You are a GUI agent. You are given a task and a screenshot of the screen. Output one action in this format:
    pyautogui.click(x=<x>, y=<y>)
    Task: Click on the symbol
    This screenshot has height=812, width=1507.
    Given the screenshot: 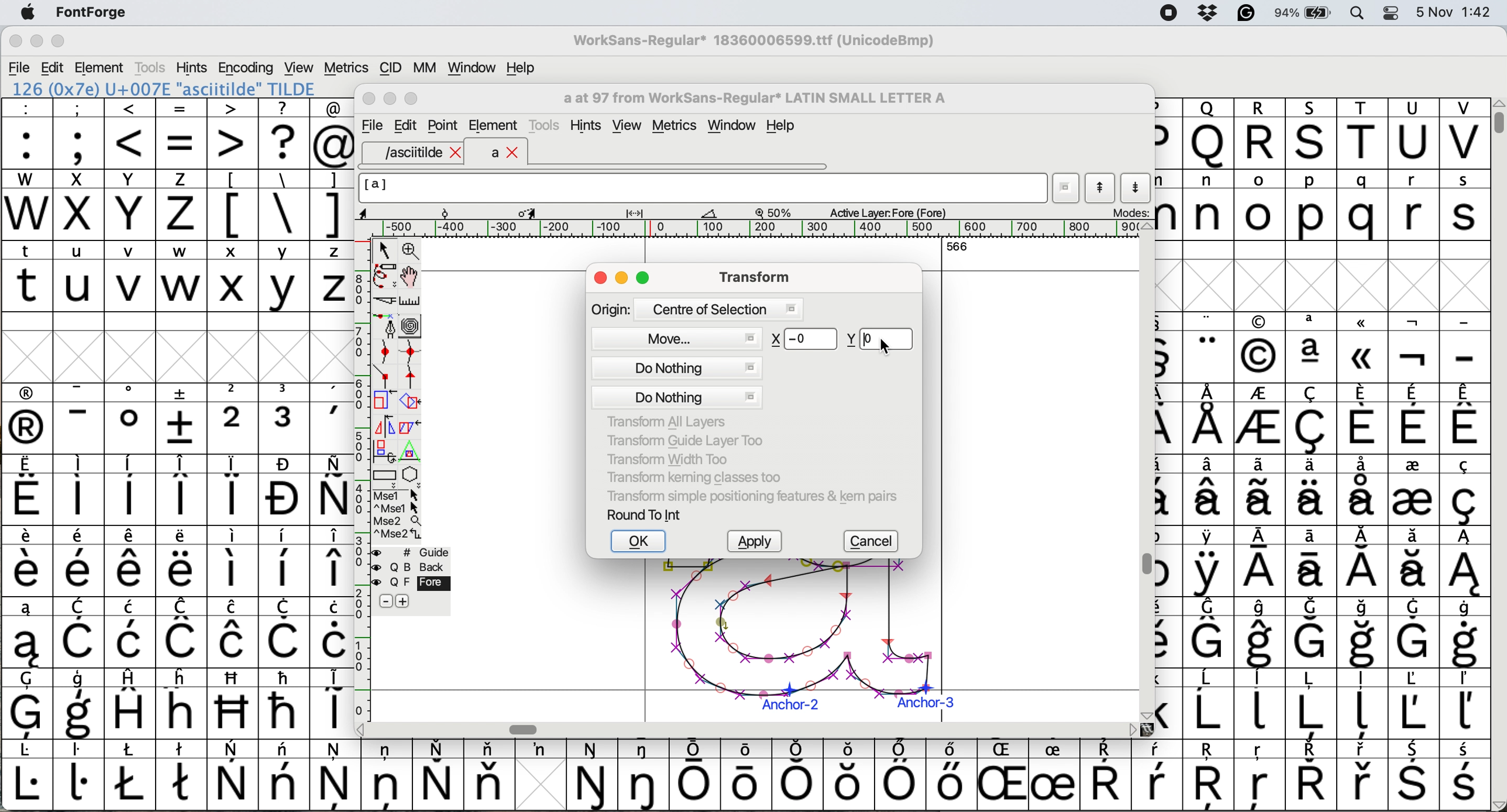 What is the action you would take?
    pyautogui.click(x=286, y=418)
    